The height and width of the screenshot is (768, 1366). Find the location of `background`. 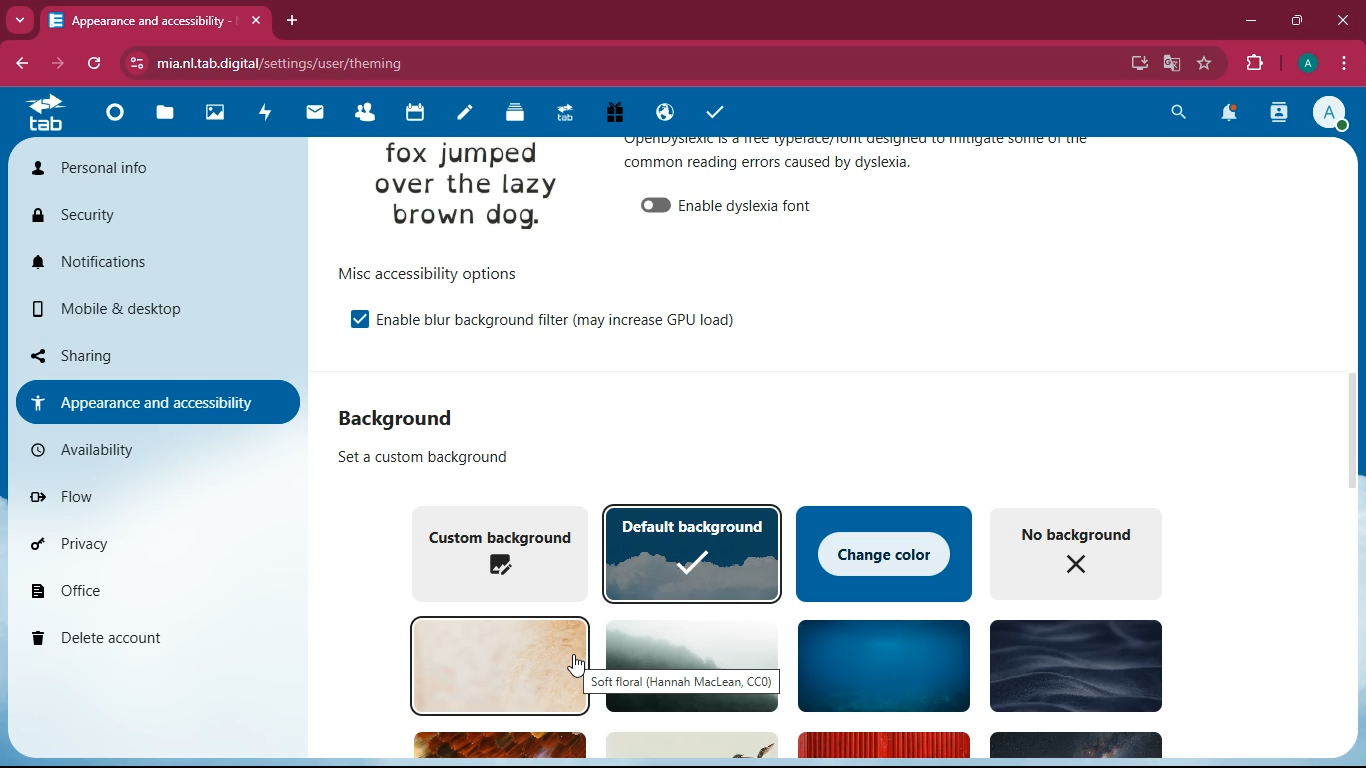

background is located at coordinates (680, 683).